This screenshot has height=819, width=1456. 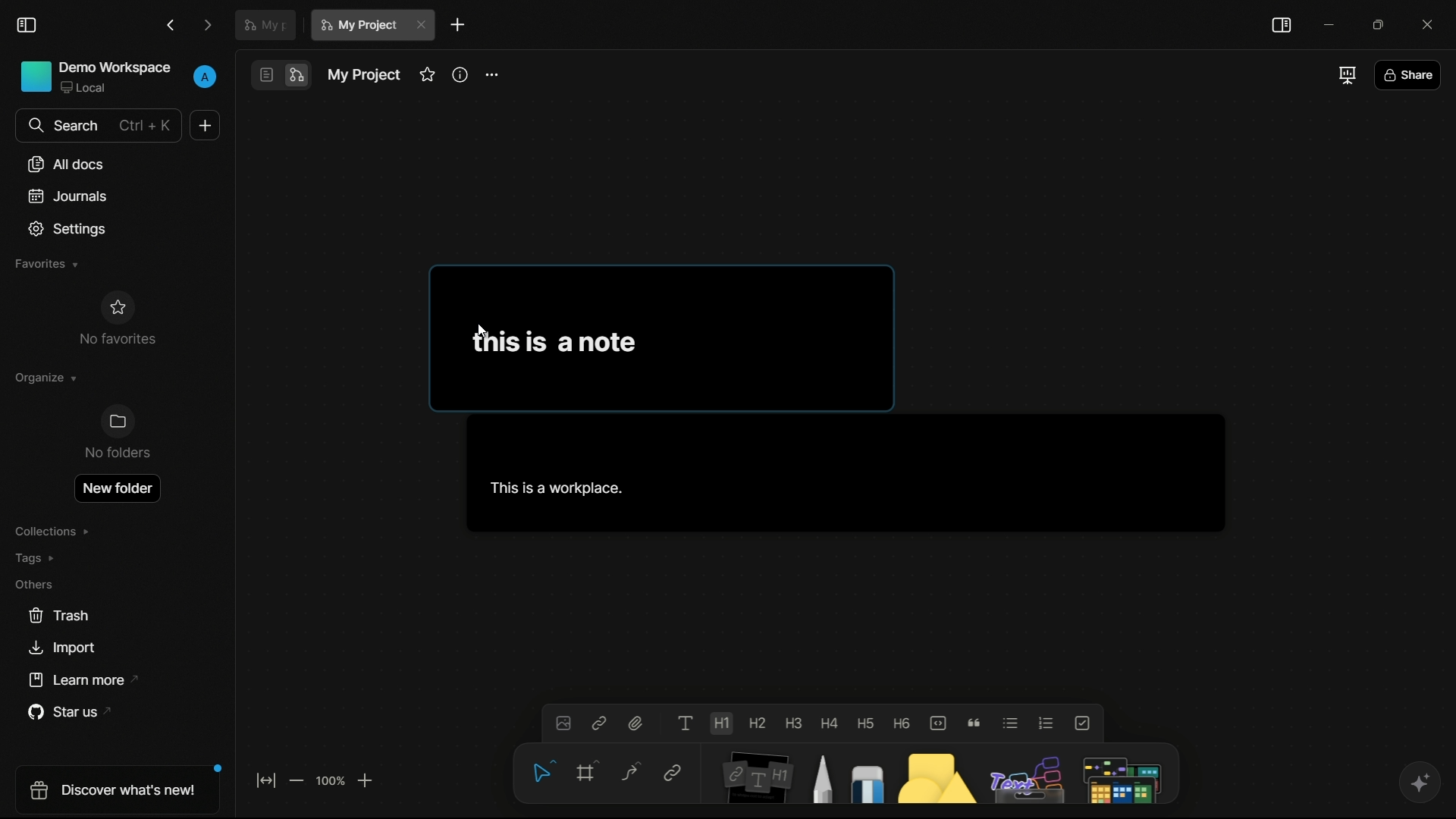 What do you see at coordinates (821, 773) in the screenshot?
I see `pencil and pen` at bounding box center [821, 773].